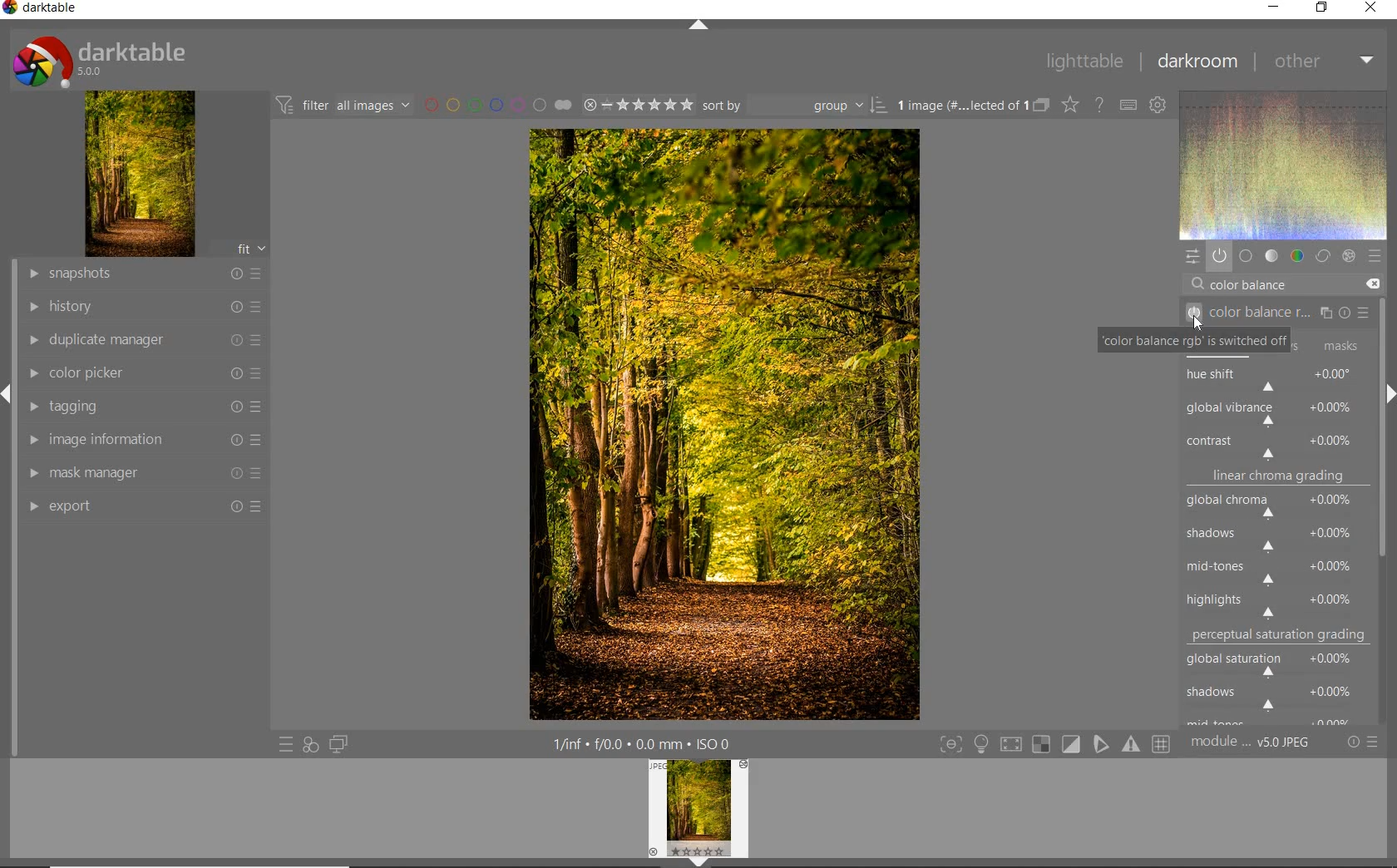 Image resolution: width=1397 pixels, height=868 pixels. What do you see at coordinates (1041, 106) in the screenshot?
I see `collapse grouped image` at bounding box center [1041, 106].